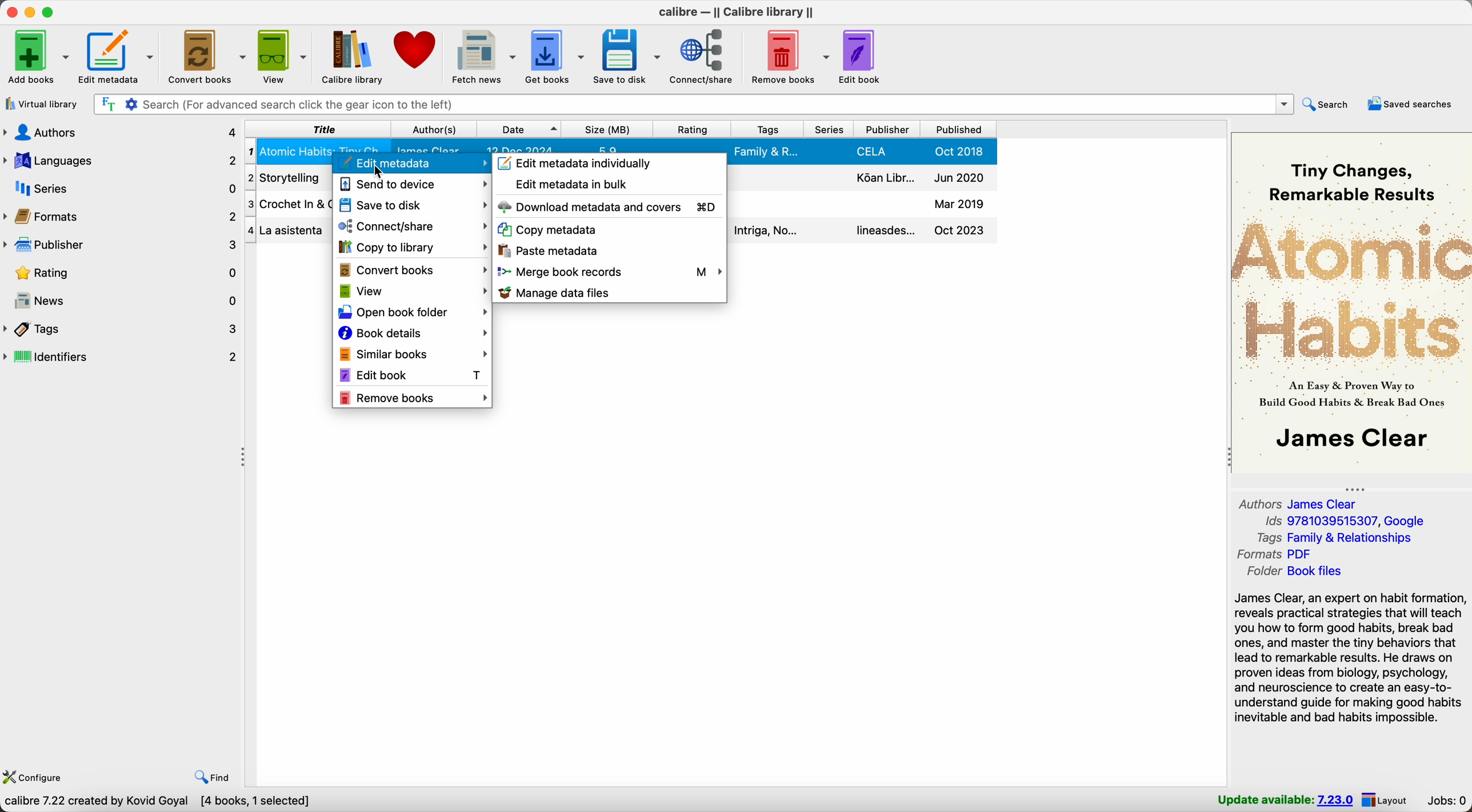 The image size is (1472, 812). What do you see at coordinates (863, 205) in the screenshot?
I see `crochet in & out book details` at bounding box center [863, 205].